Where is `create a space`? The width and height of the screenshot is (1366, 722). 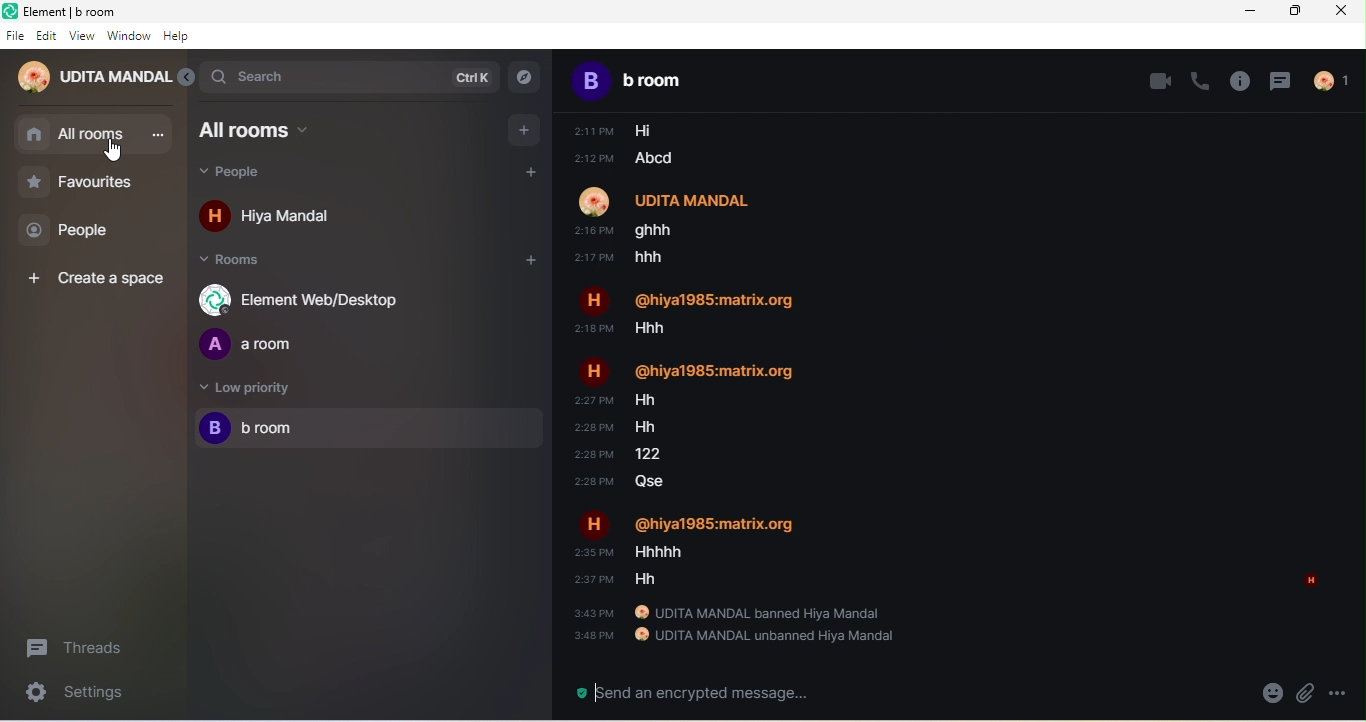
create a space is located at coordinates (100, 279).